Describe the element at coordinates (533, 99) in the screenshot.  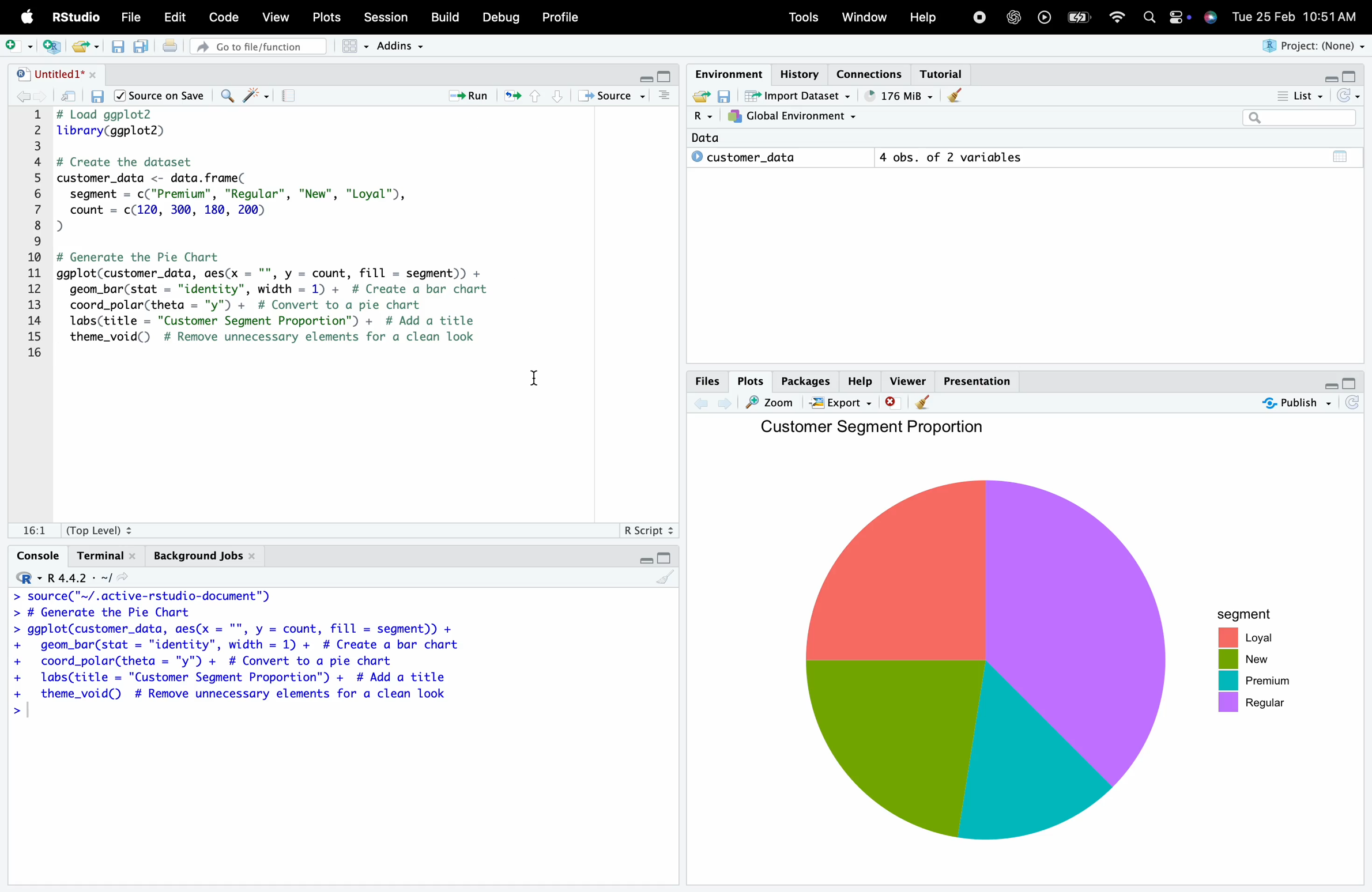
I see `top` at that location.